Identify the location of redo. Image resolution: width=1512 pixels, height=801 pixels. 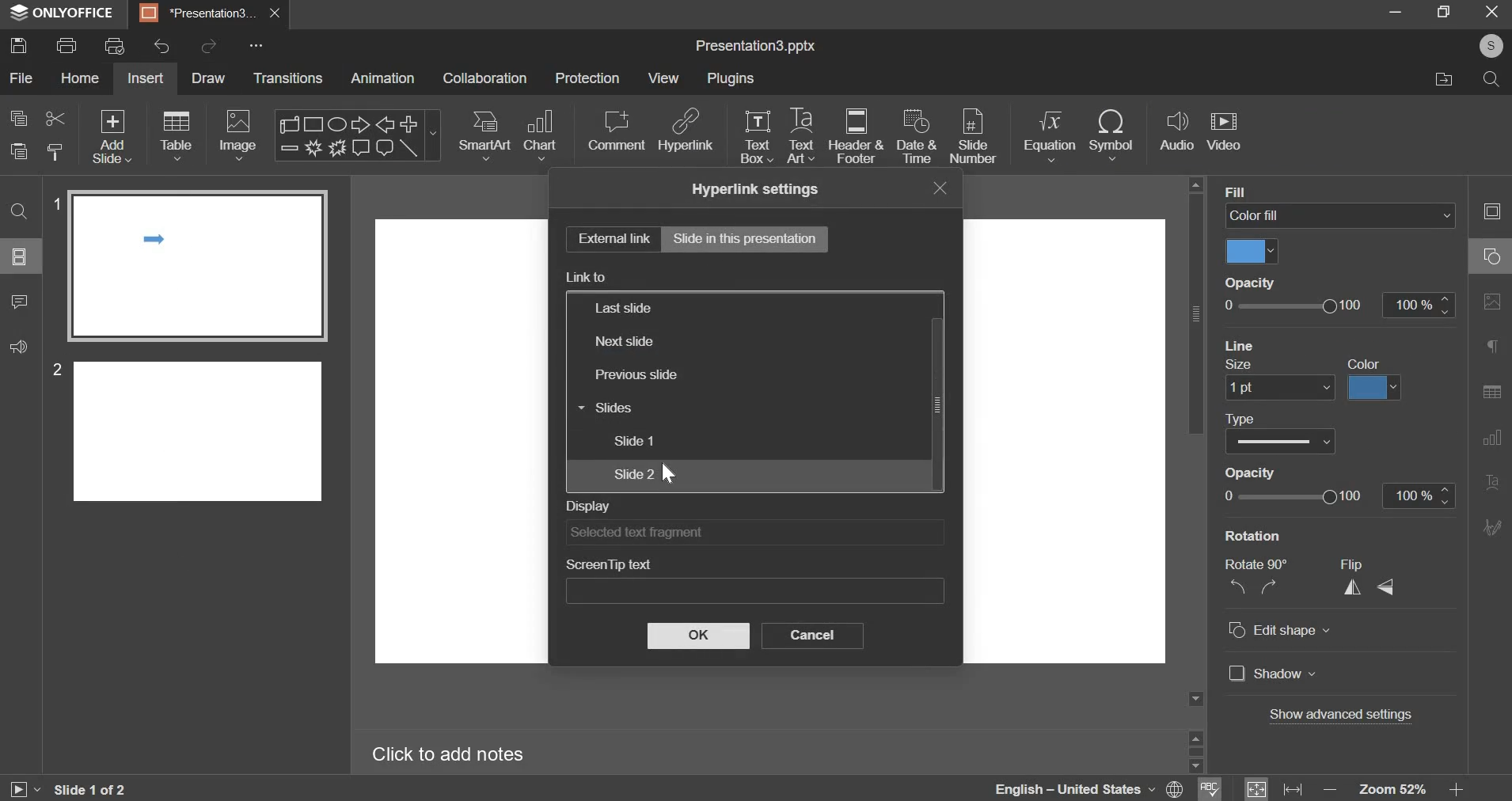
(211, 44).